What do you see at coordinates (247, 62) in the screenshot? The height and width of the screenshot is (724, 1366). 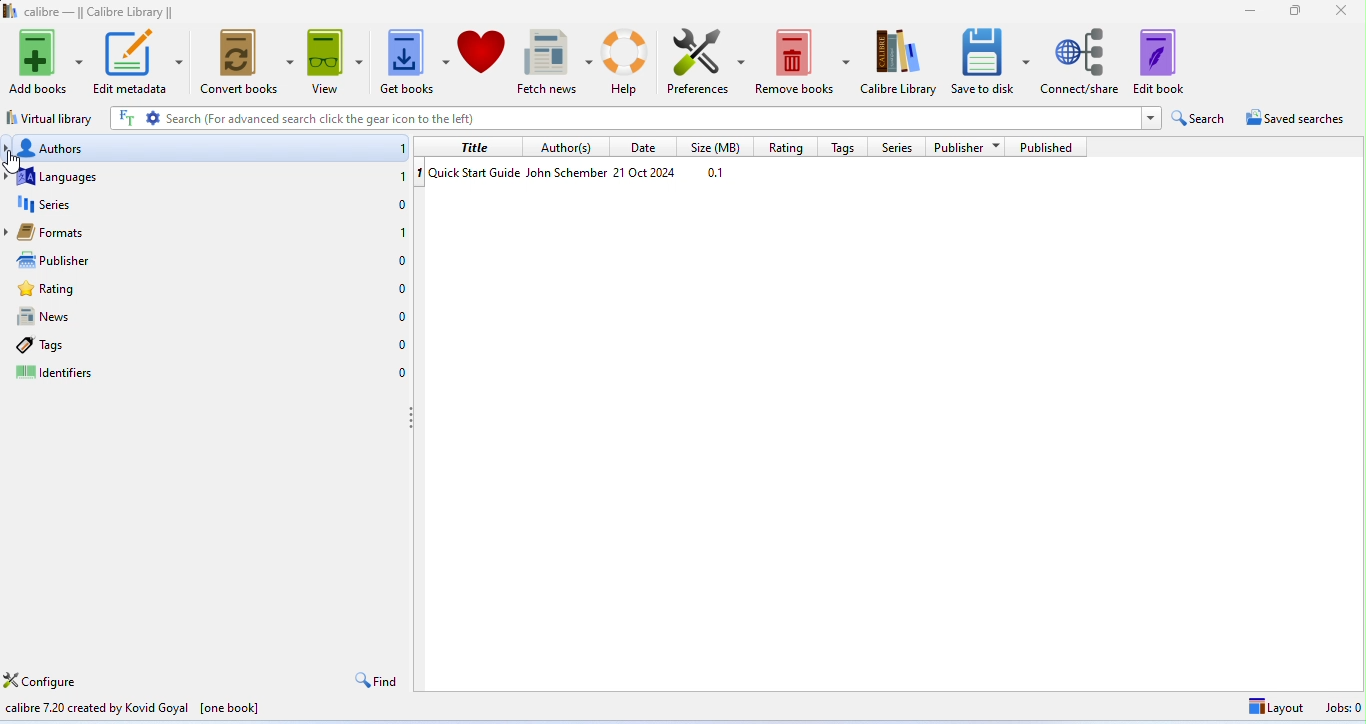 I see `convert books` at bounding box center [247, 62].